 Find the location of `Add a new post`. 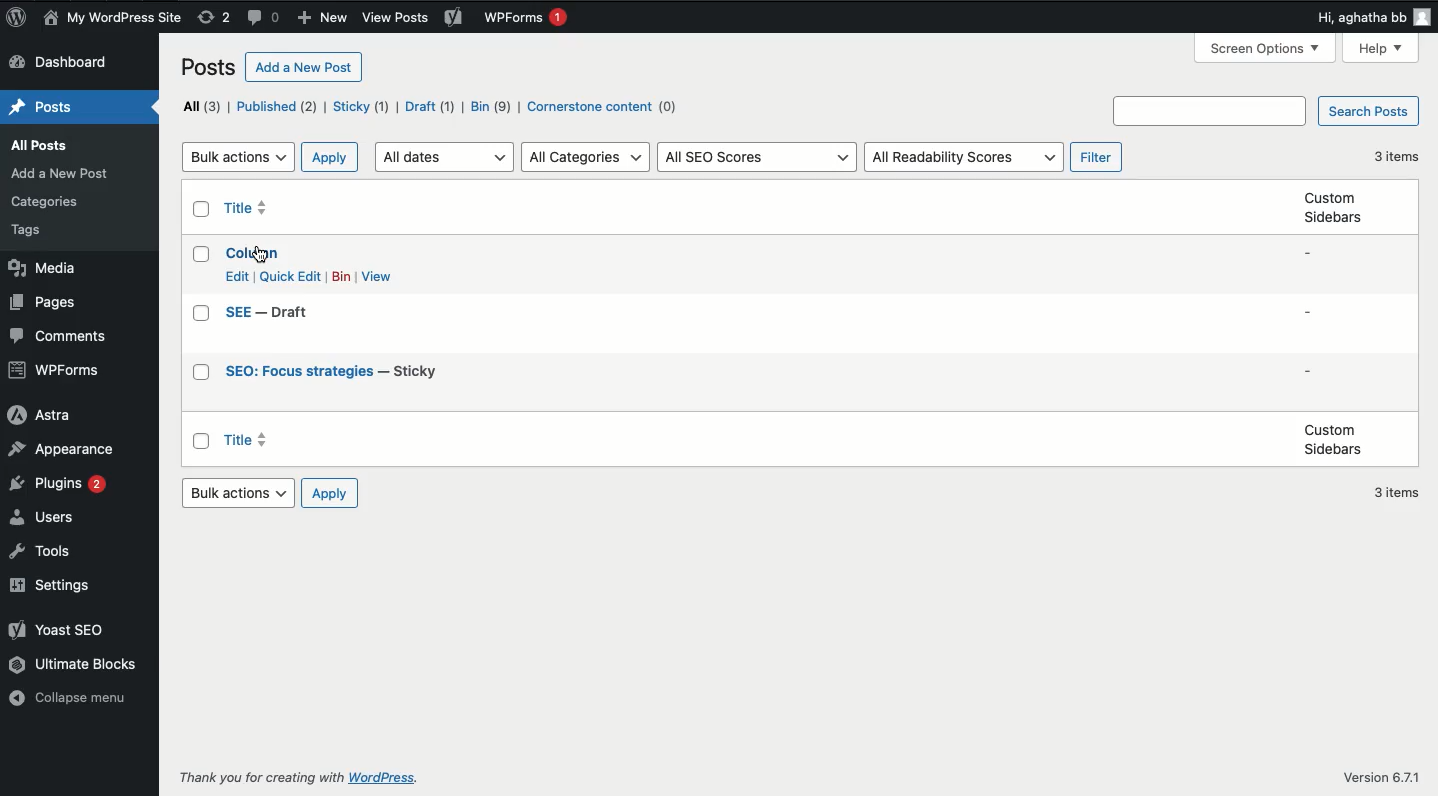

Add a new post is located at coordinates (301, 67).